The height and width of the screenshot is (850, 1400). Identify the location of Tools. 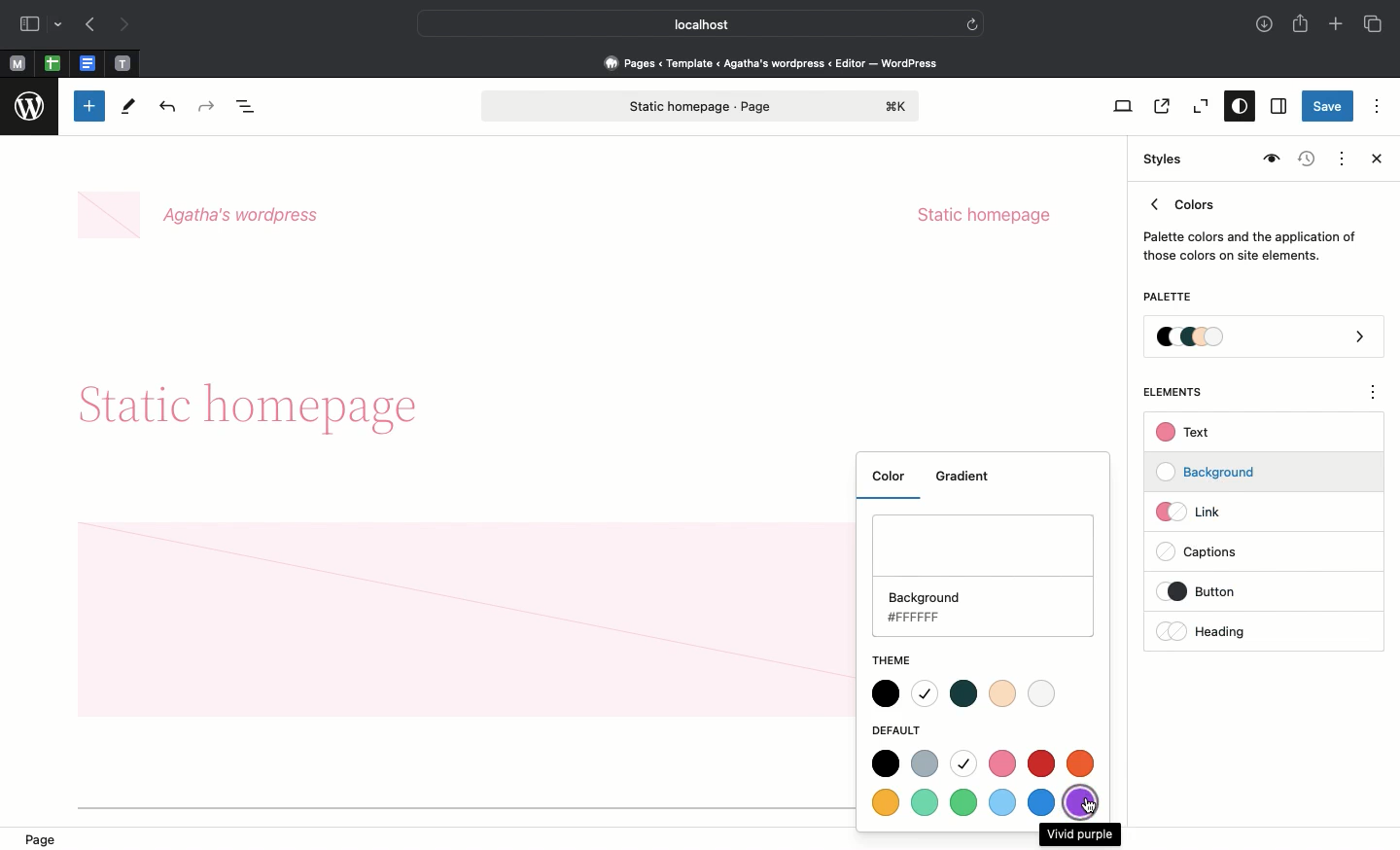
(129, 111).